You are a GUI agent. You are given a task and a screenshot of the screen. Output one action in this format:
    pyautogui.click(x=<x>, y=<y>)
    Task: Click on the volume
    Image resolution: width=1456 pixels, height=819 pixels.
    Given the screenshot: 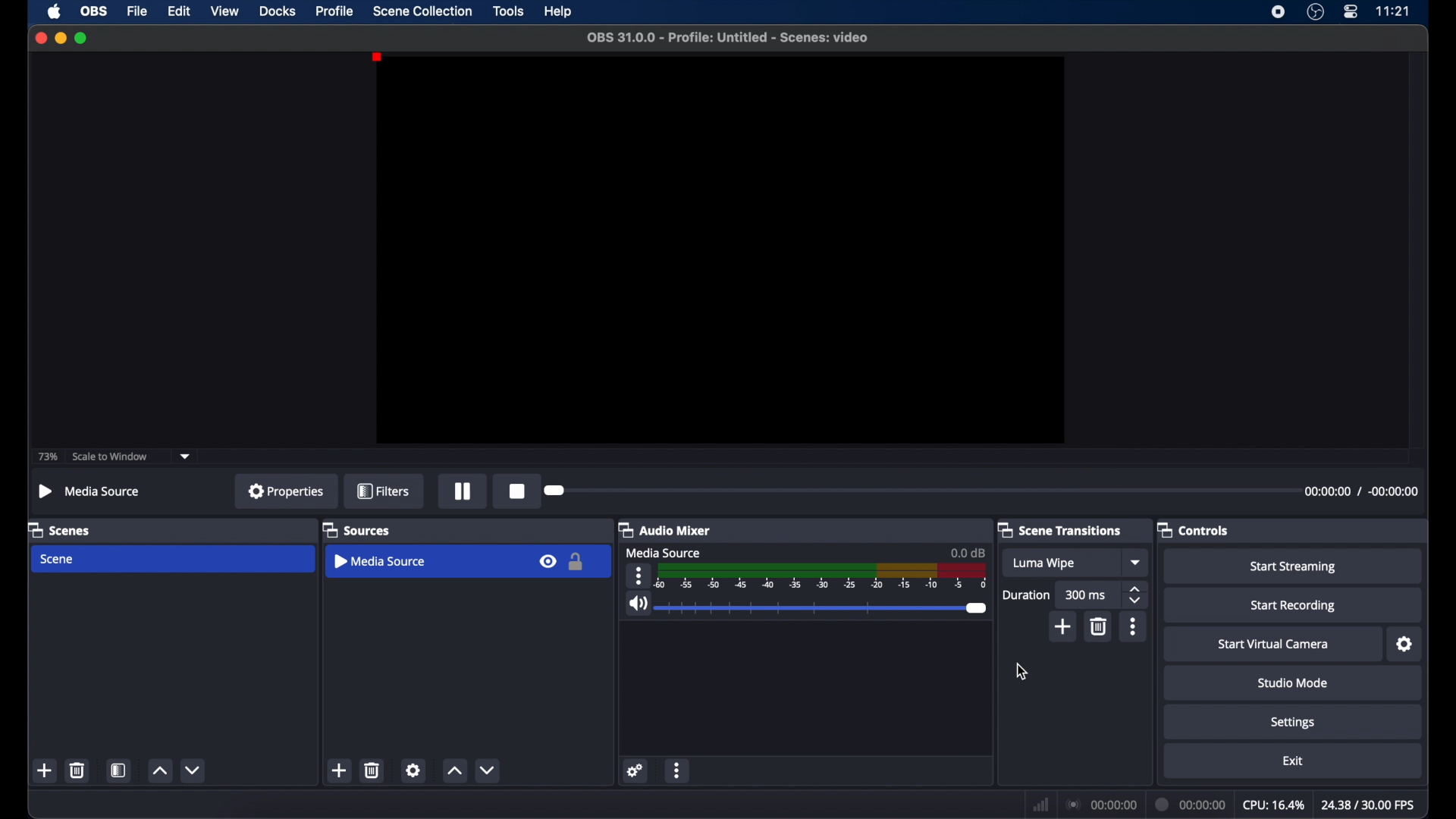 What is the action you would take?
    pyautogui.click(x=638, y=604)
    